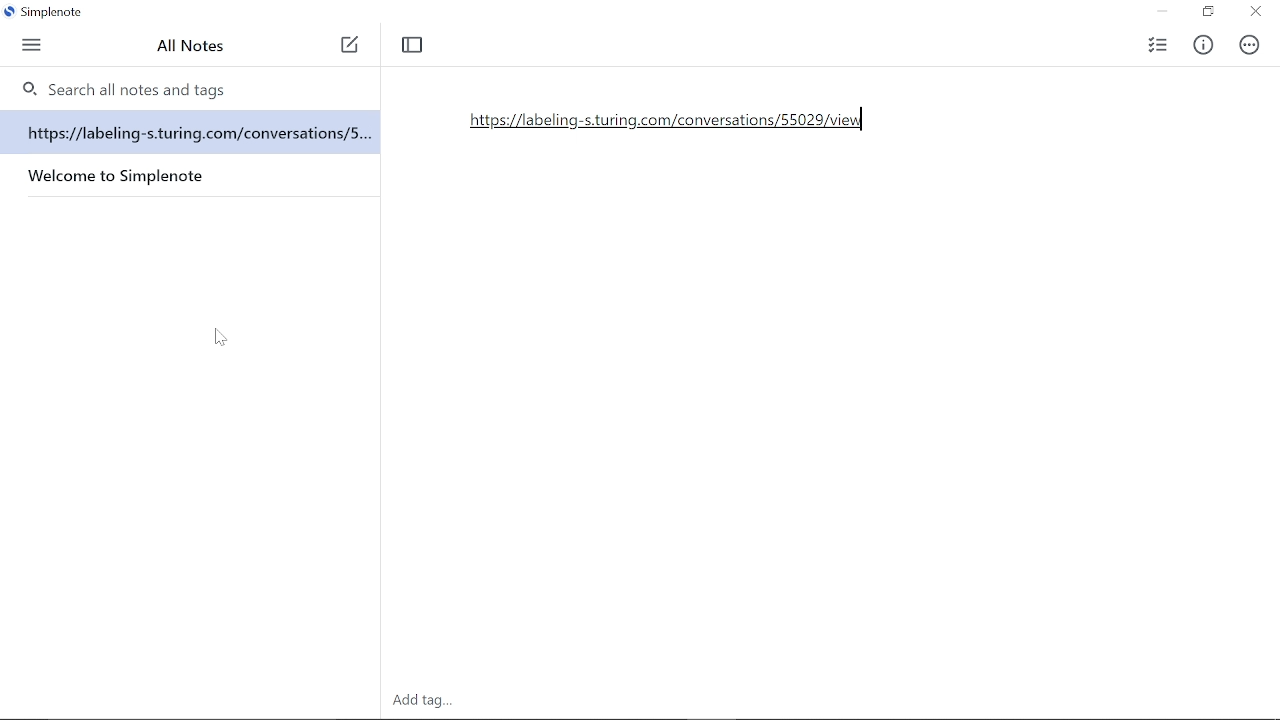 Image resolution: width=1280 pixels, height=720 pixels. I want to click on Added URL, so click(666, 118).